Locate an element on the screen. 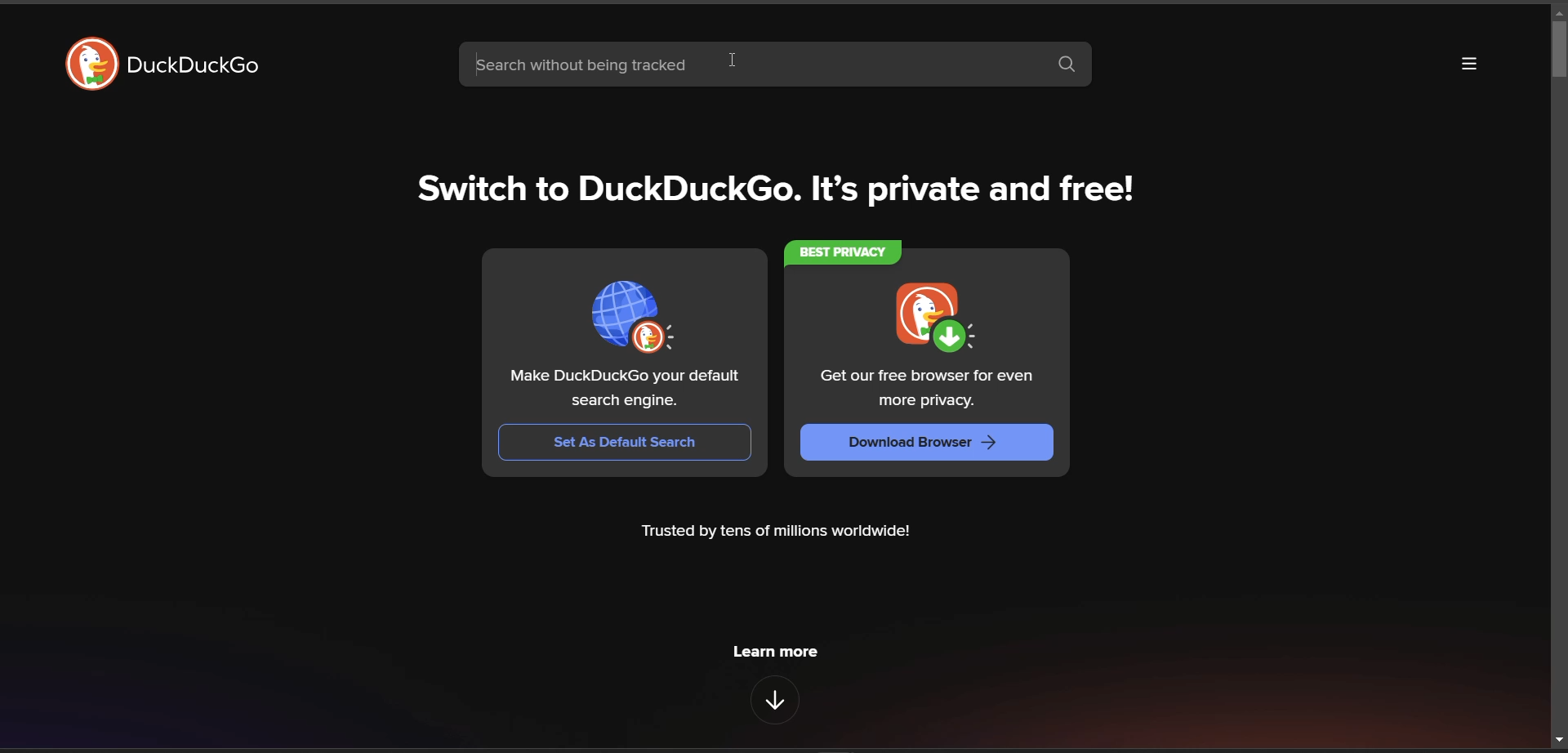 Image resolution: width=1568 pixels, height=753 pixels. Get our free browser for even
more privacy. is located at coordinates (929, 390).